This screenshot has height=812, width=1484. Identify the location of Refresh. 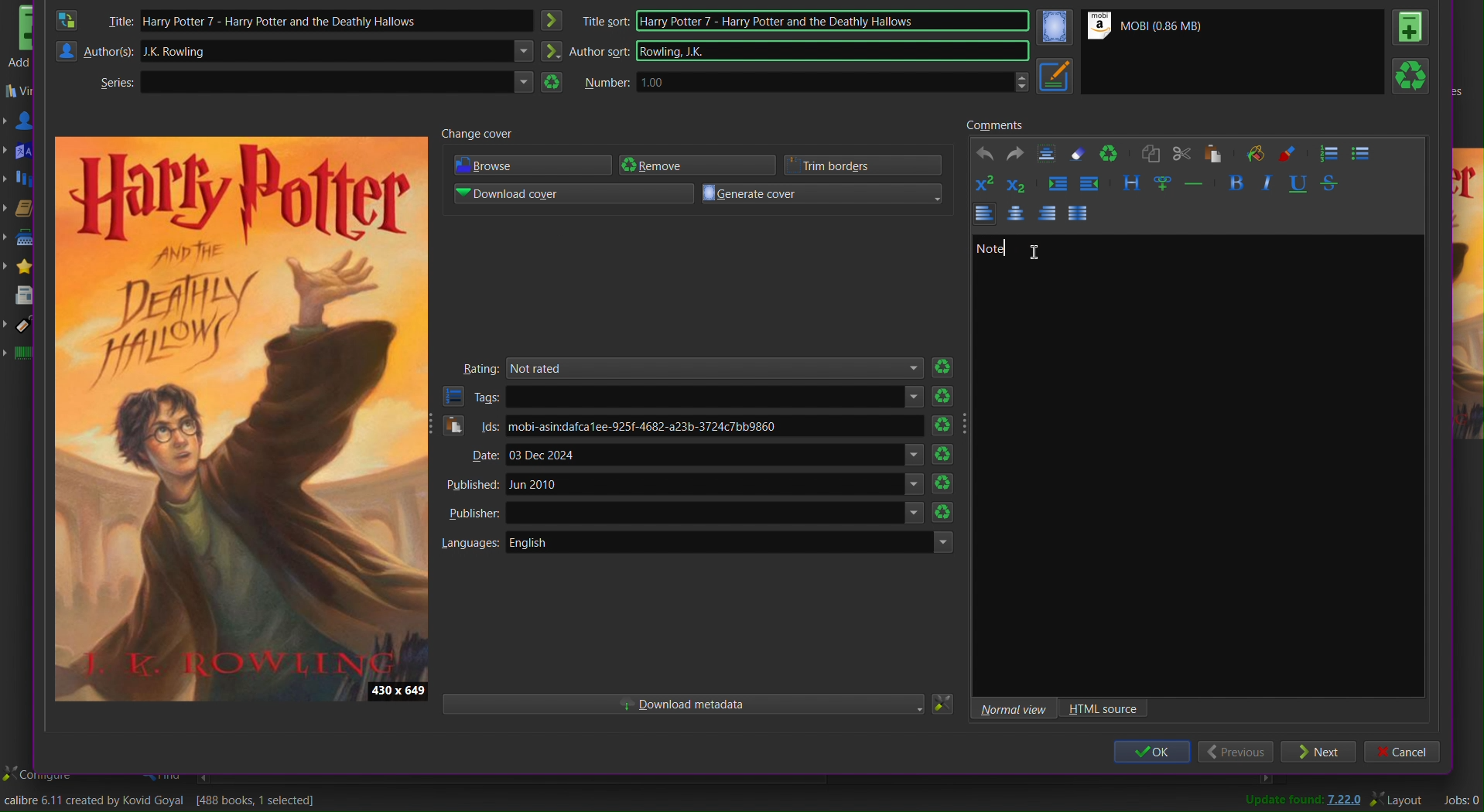
(1110, 152).